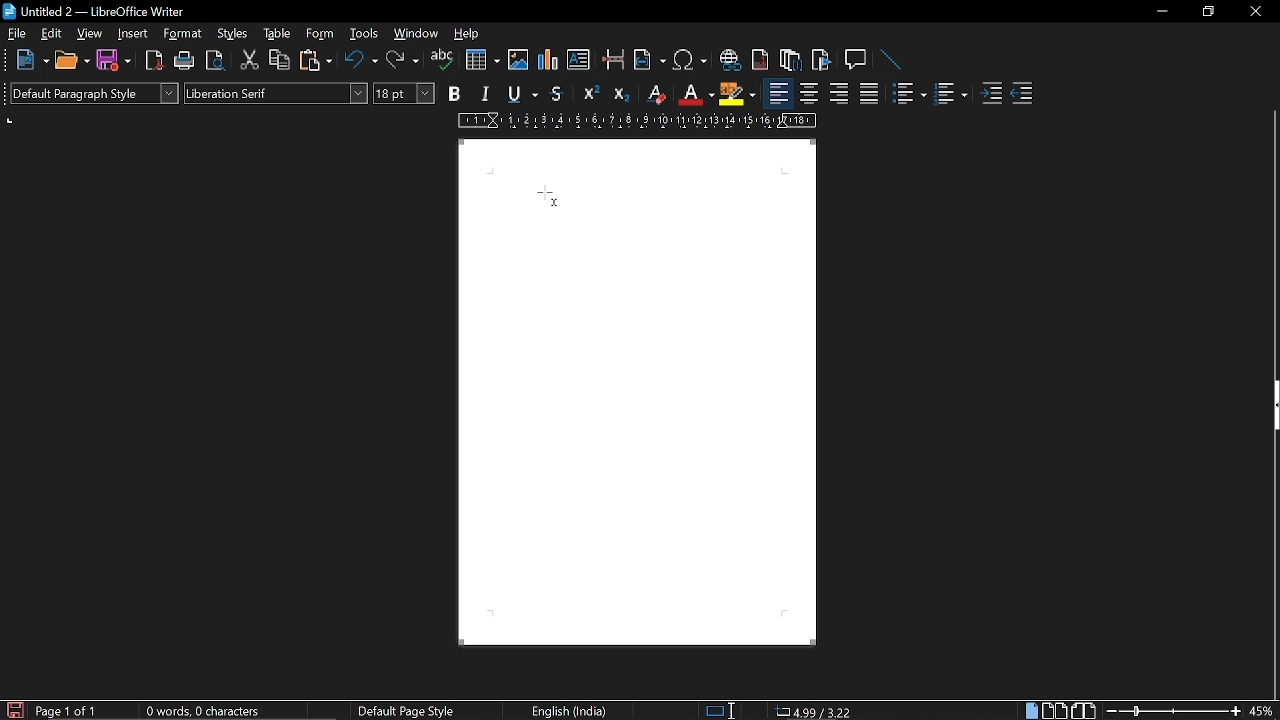  I want to click on subscript, so click(622, 94).